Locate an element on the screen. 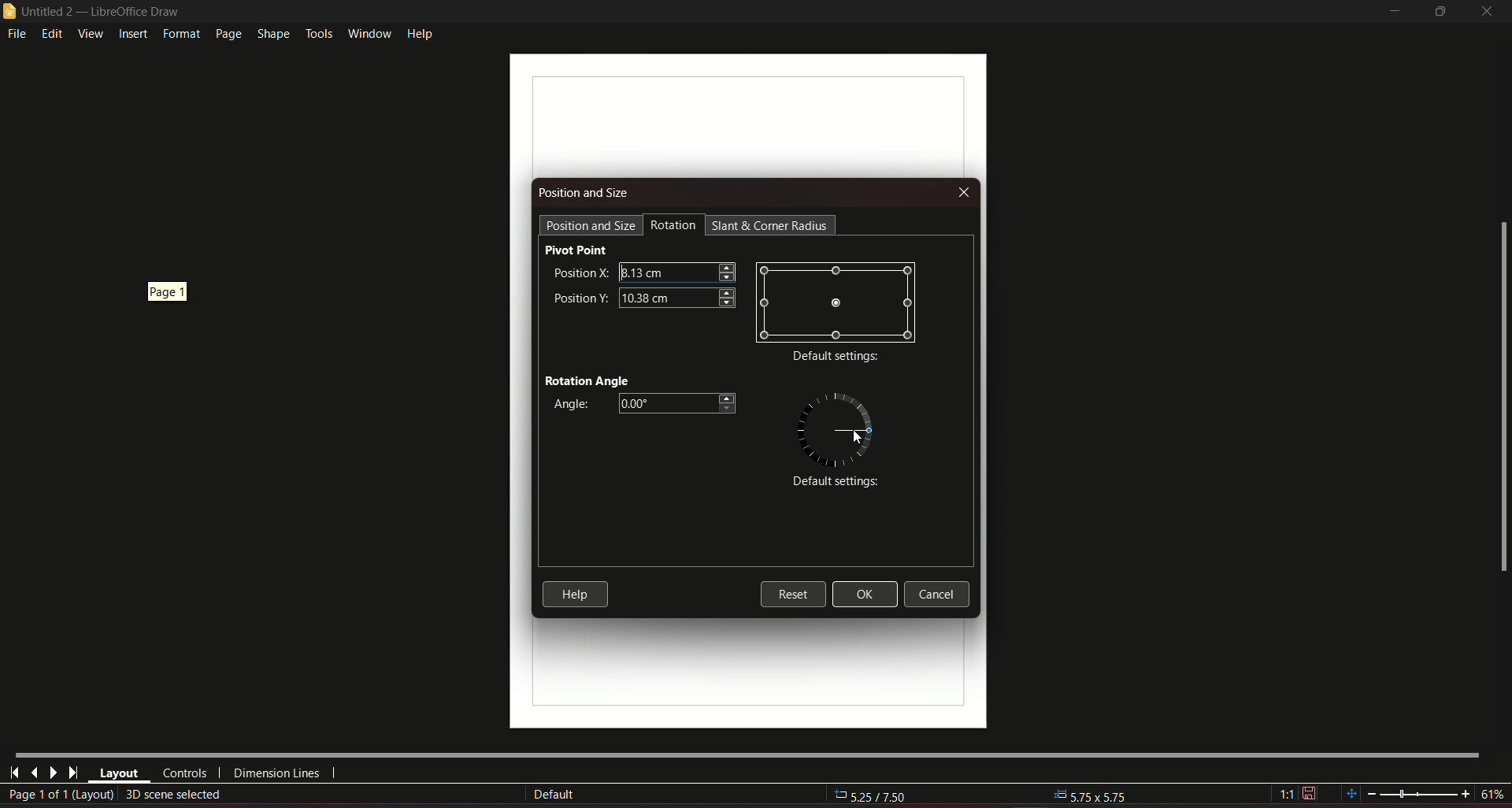  minimize is located at coordinates (1392, 12).